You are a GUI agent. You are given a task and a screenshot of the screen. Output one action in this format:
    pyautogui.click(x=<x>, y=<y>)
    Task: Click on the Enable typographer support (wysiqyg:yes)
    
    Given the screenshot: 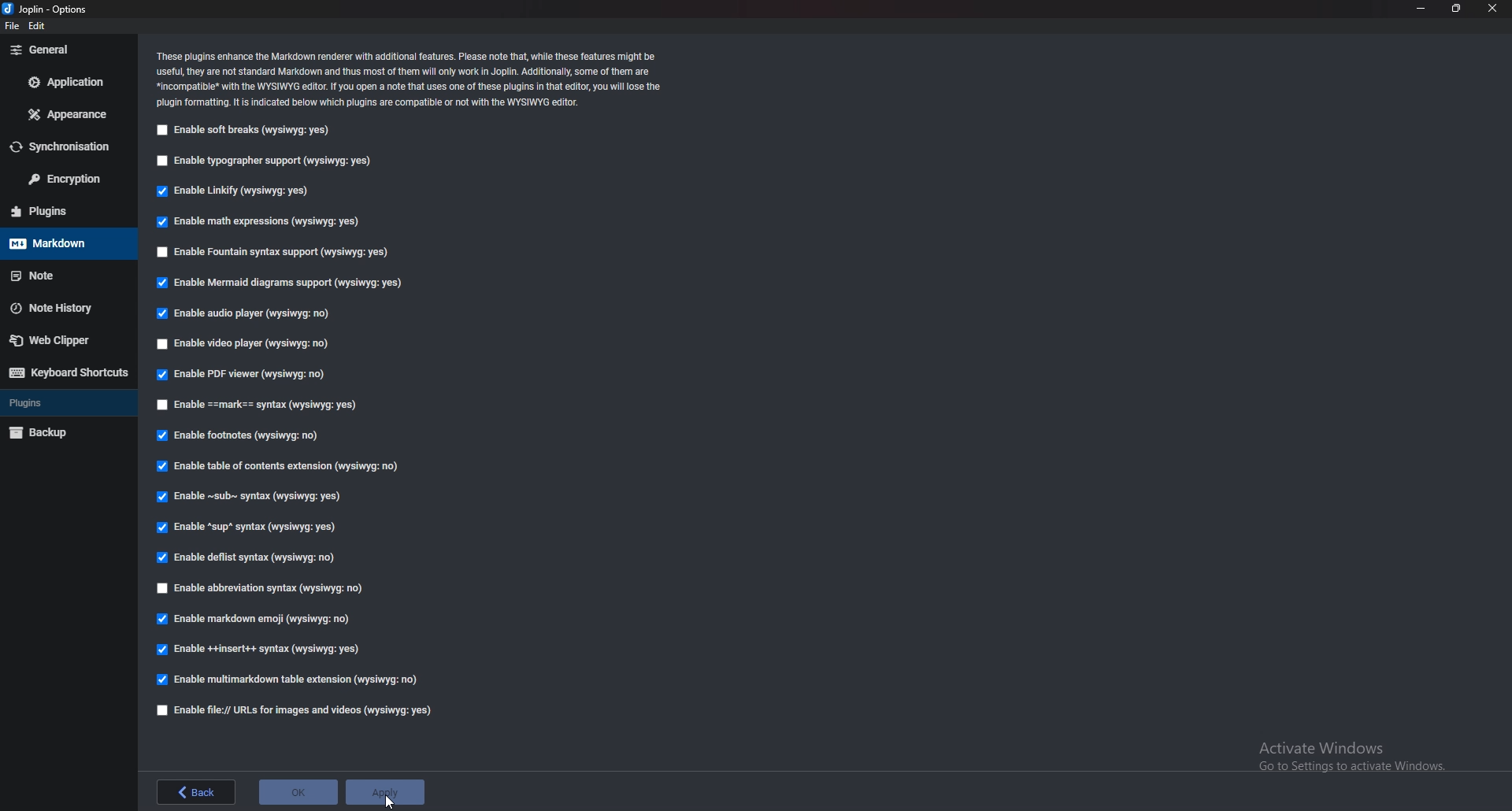 What is the action you would take?
    pyautogui.click(x=266, y=161)
    